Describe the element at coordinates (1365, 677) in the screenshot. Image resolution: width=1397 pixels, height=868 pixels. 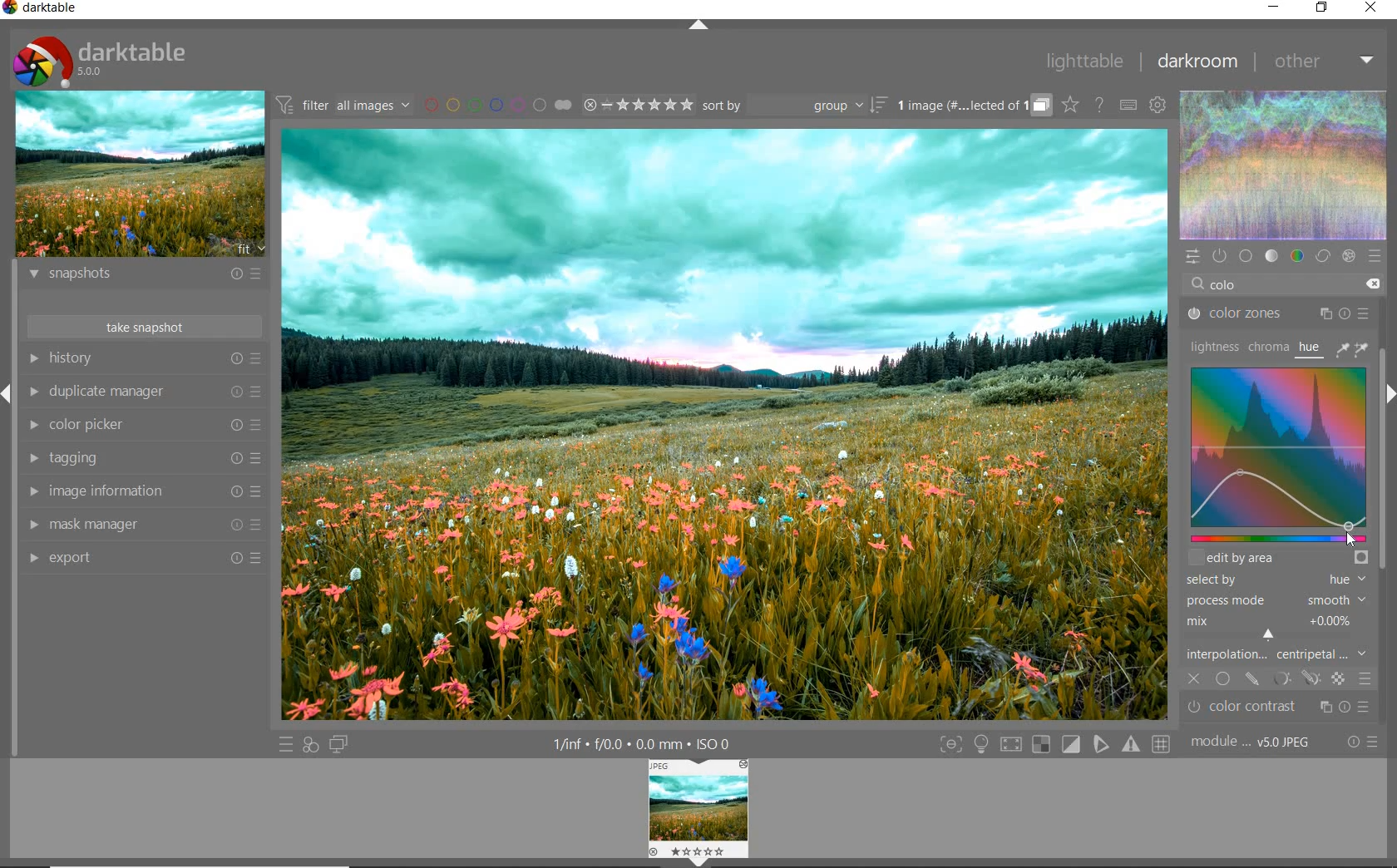
I see `blending options` at that location.